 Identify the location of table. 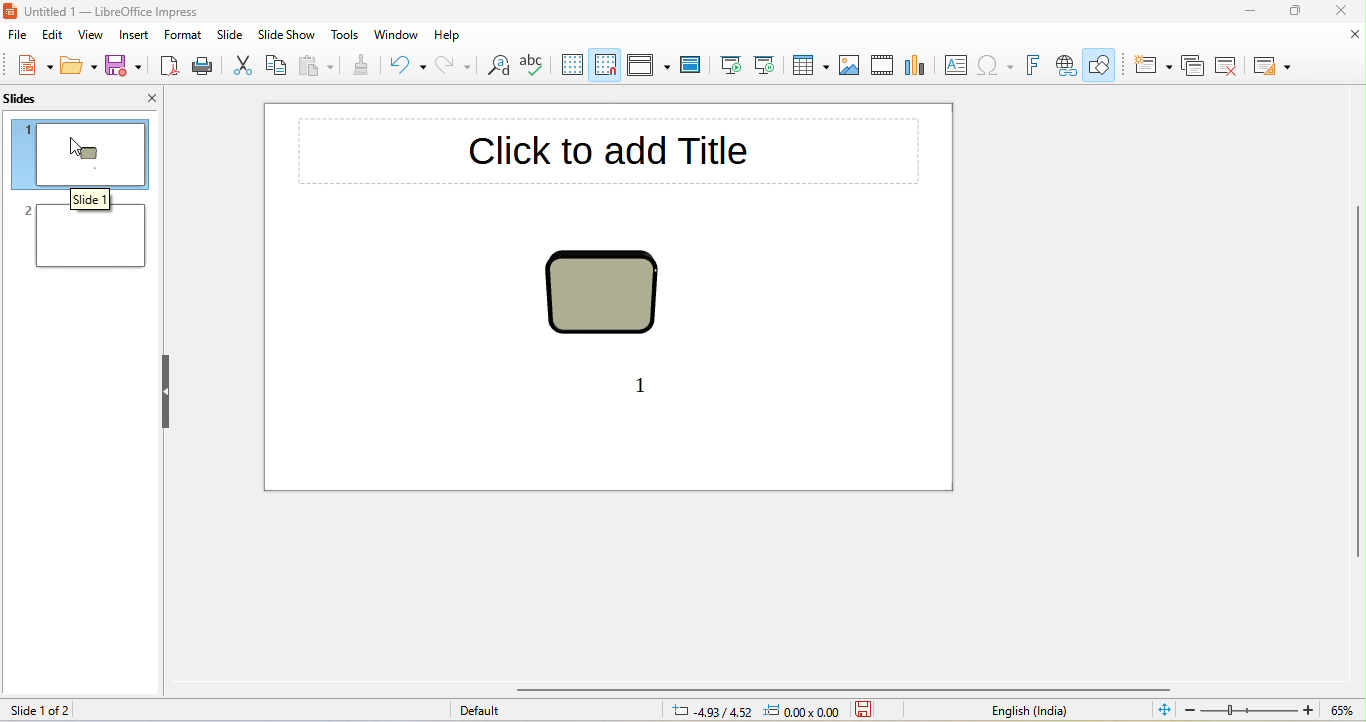
(811, 64).